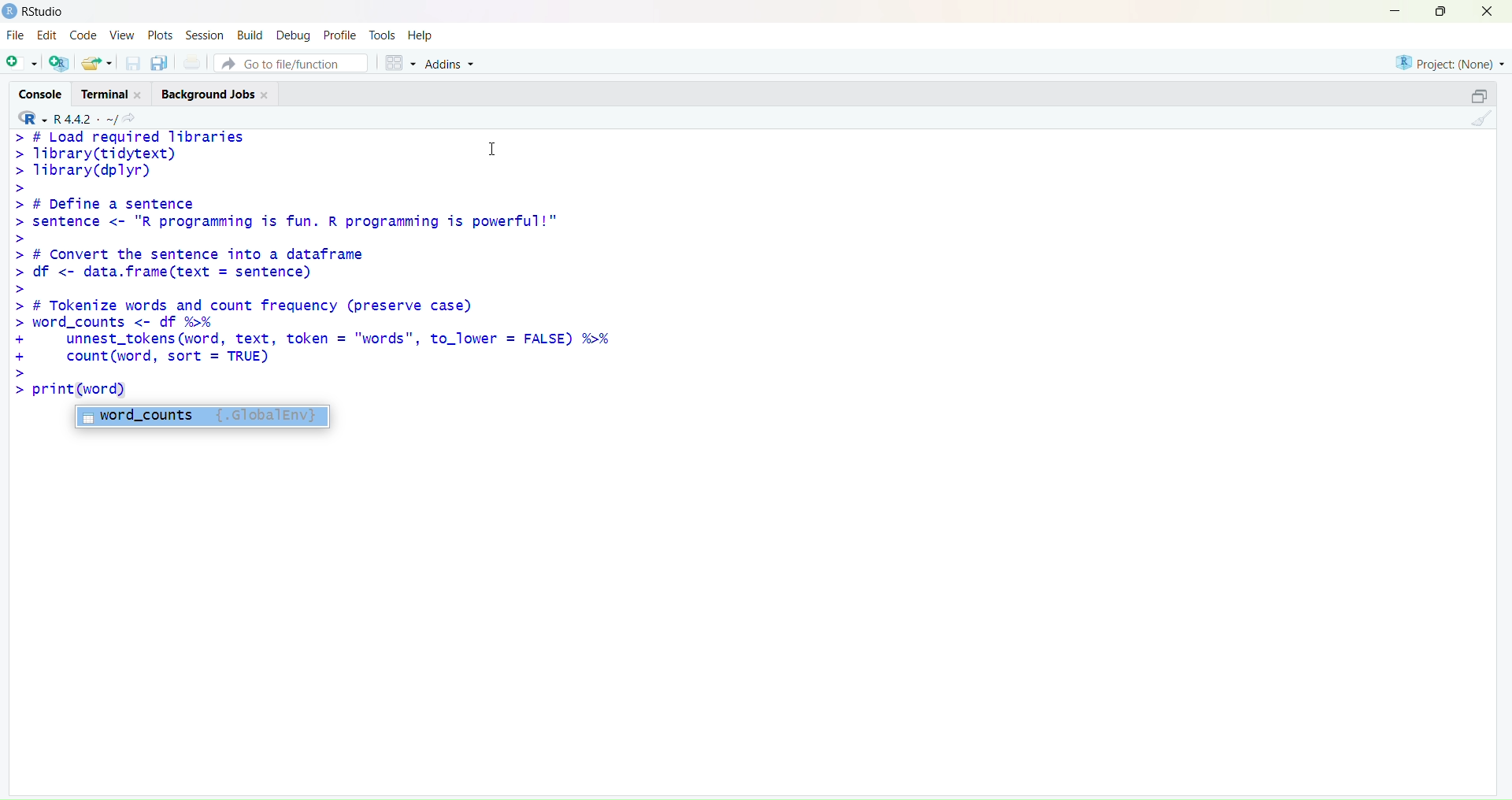 Image resolution: width=1512 pixels, height=800 pixels. Describe the element at coordinates (17, 35) in the screenshot. I see `file` at that location.